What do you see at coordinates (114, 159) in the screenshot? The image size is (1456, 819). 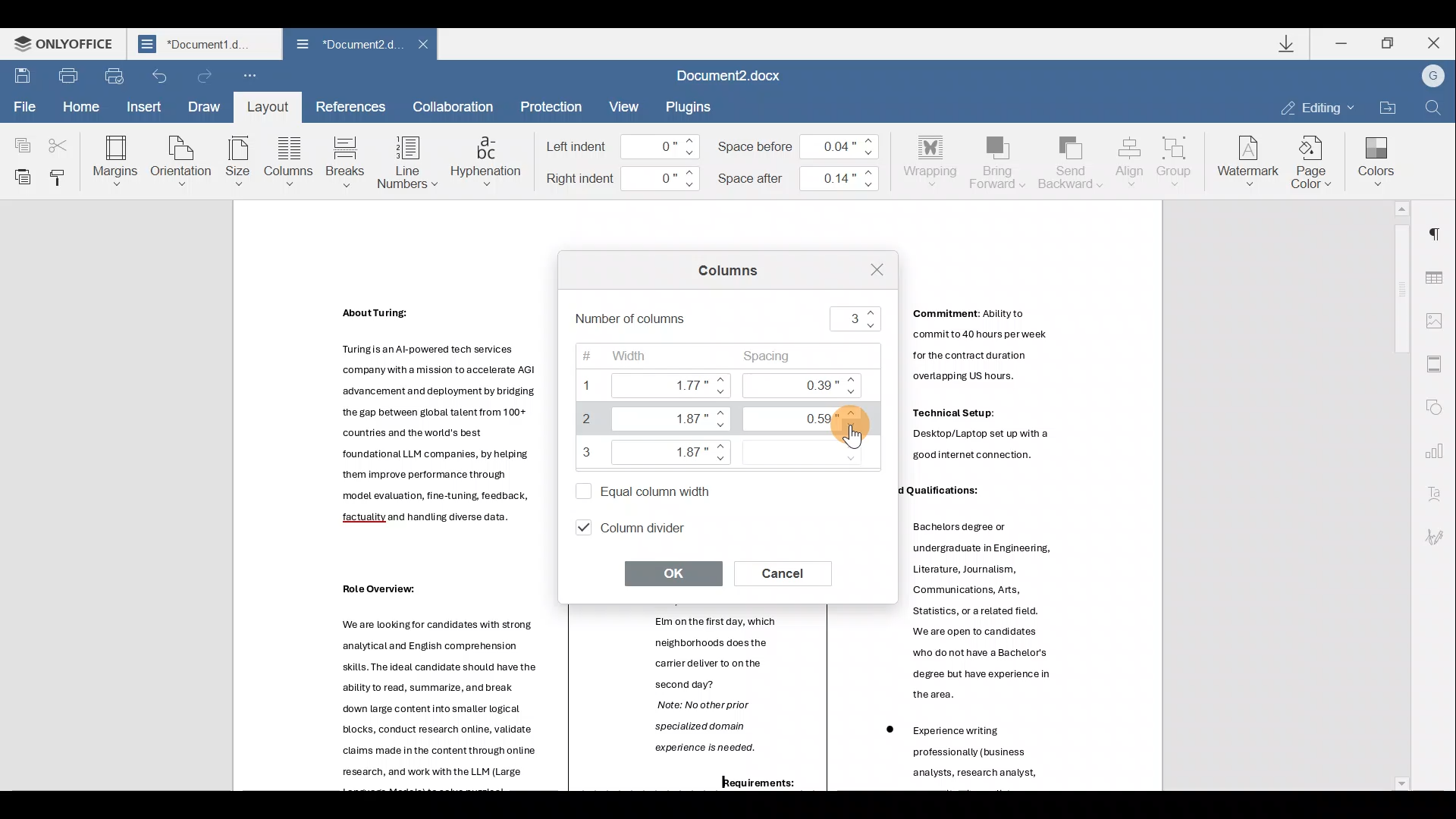 I see `Margins` at bounding box center [114, 159].